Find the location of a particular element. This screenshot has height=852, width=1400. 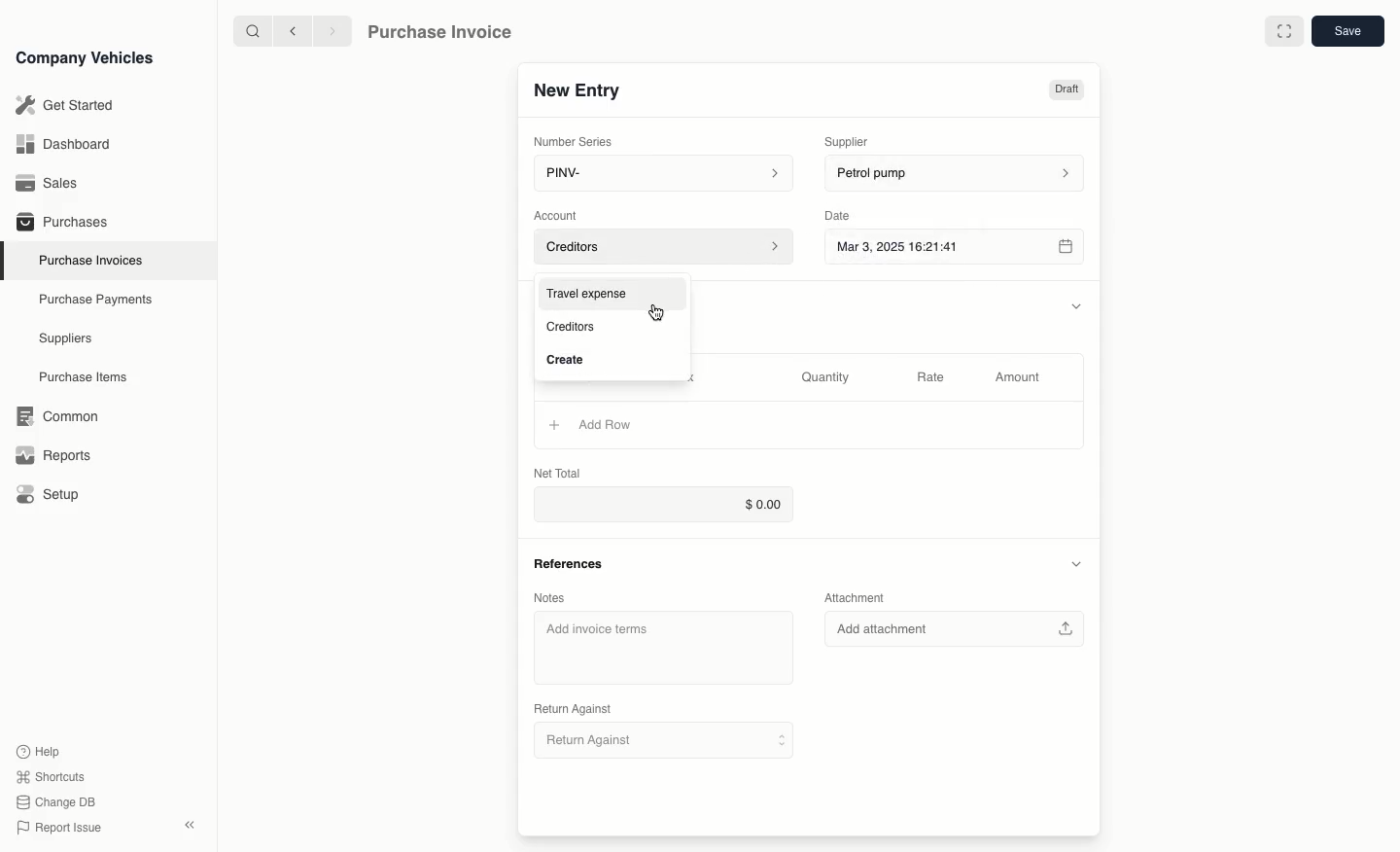

Net Total is located at coordinates (557, 475).